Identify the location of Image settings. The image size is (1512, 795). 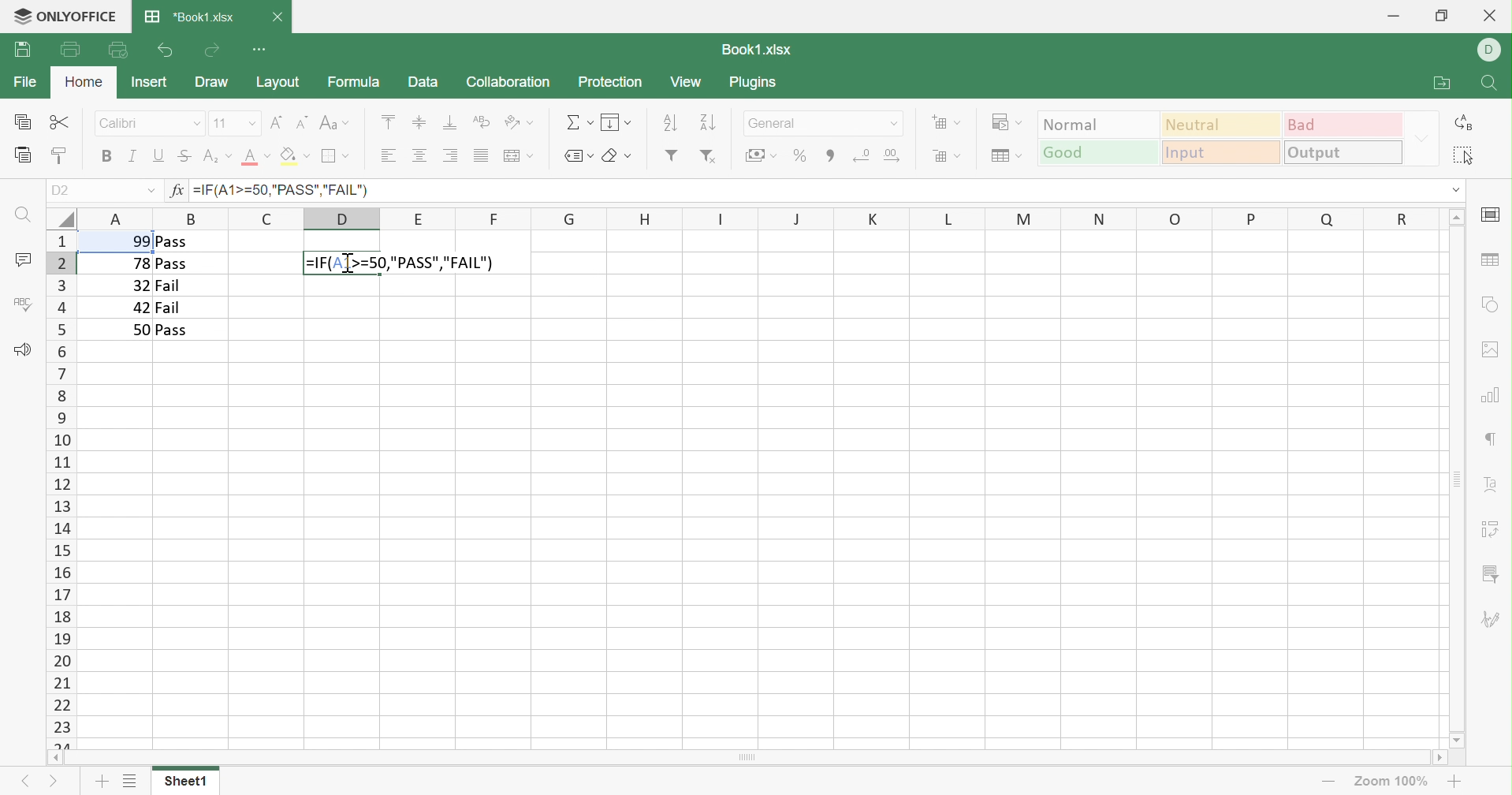
(1493, 348).